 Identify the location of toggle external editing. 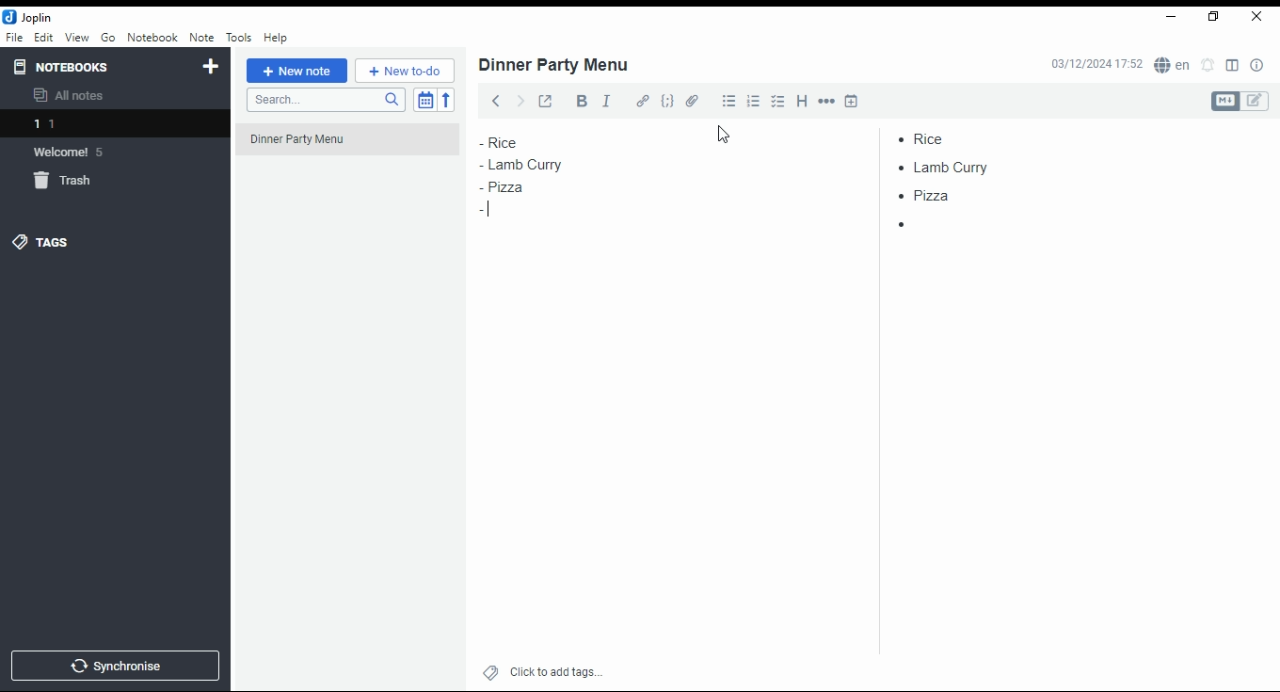
(545, 99).